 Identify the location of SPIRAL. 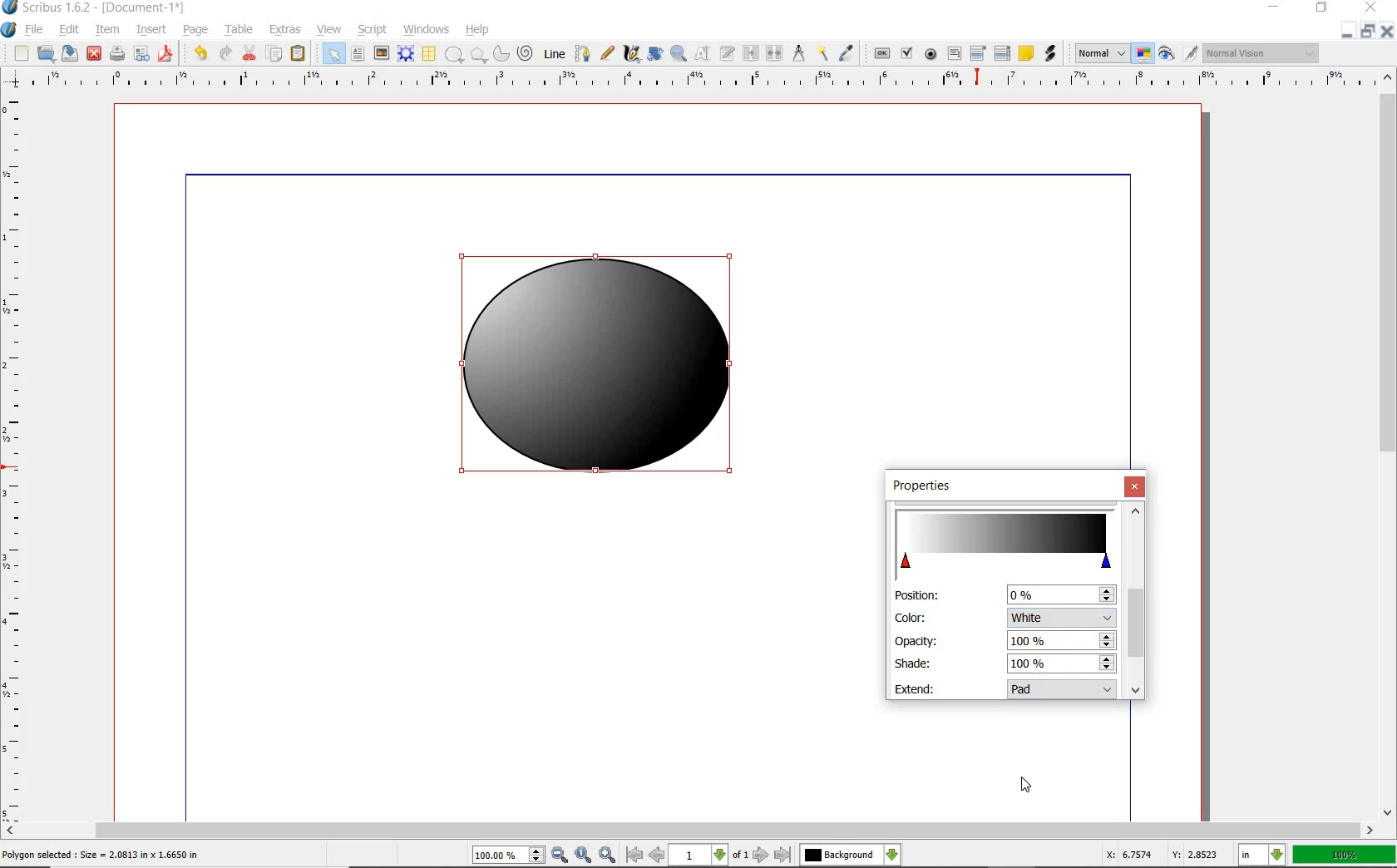
(524, 54).